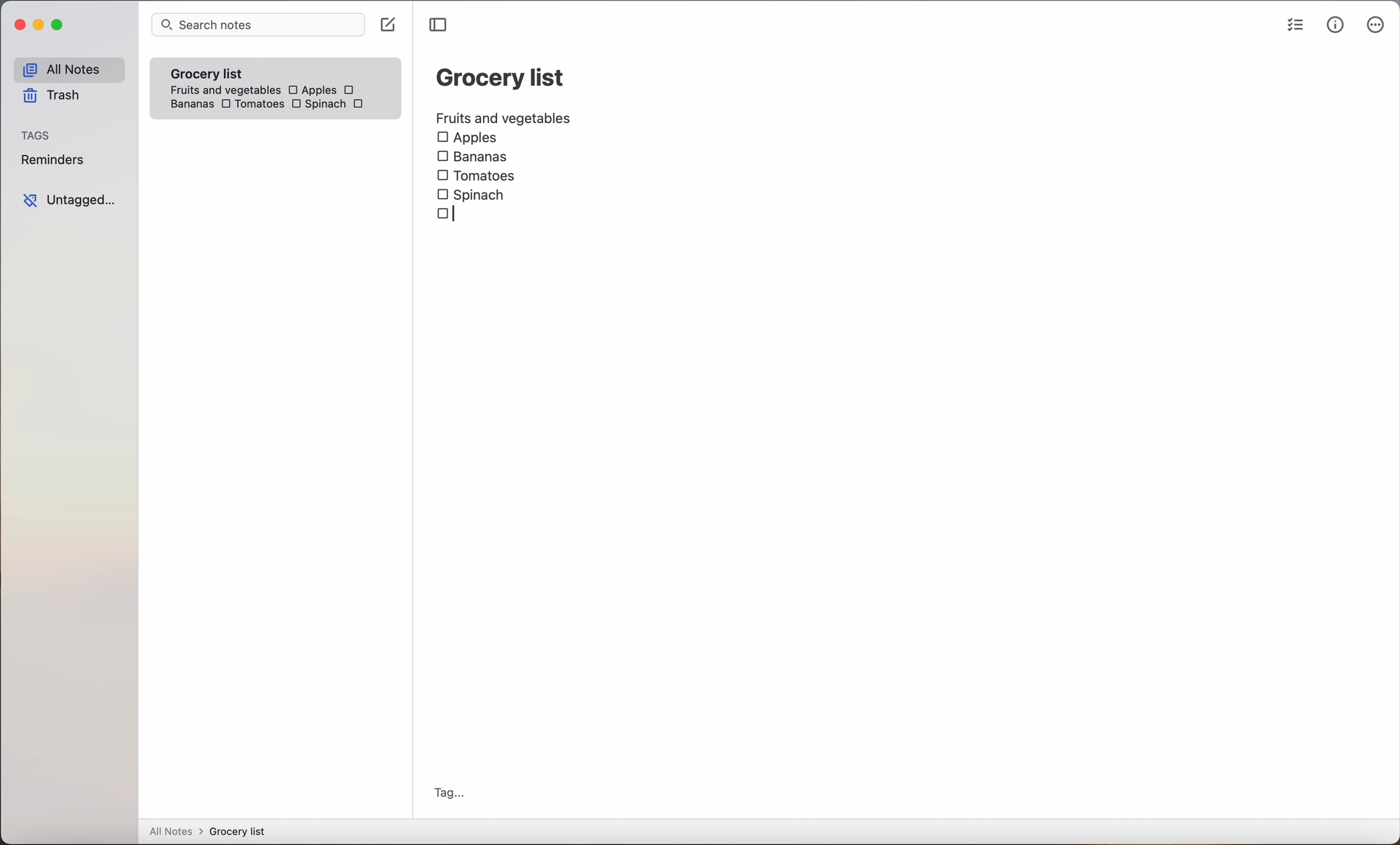 The image size is (1400, 845). I want to click on click on create note, so click(390, 26).